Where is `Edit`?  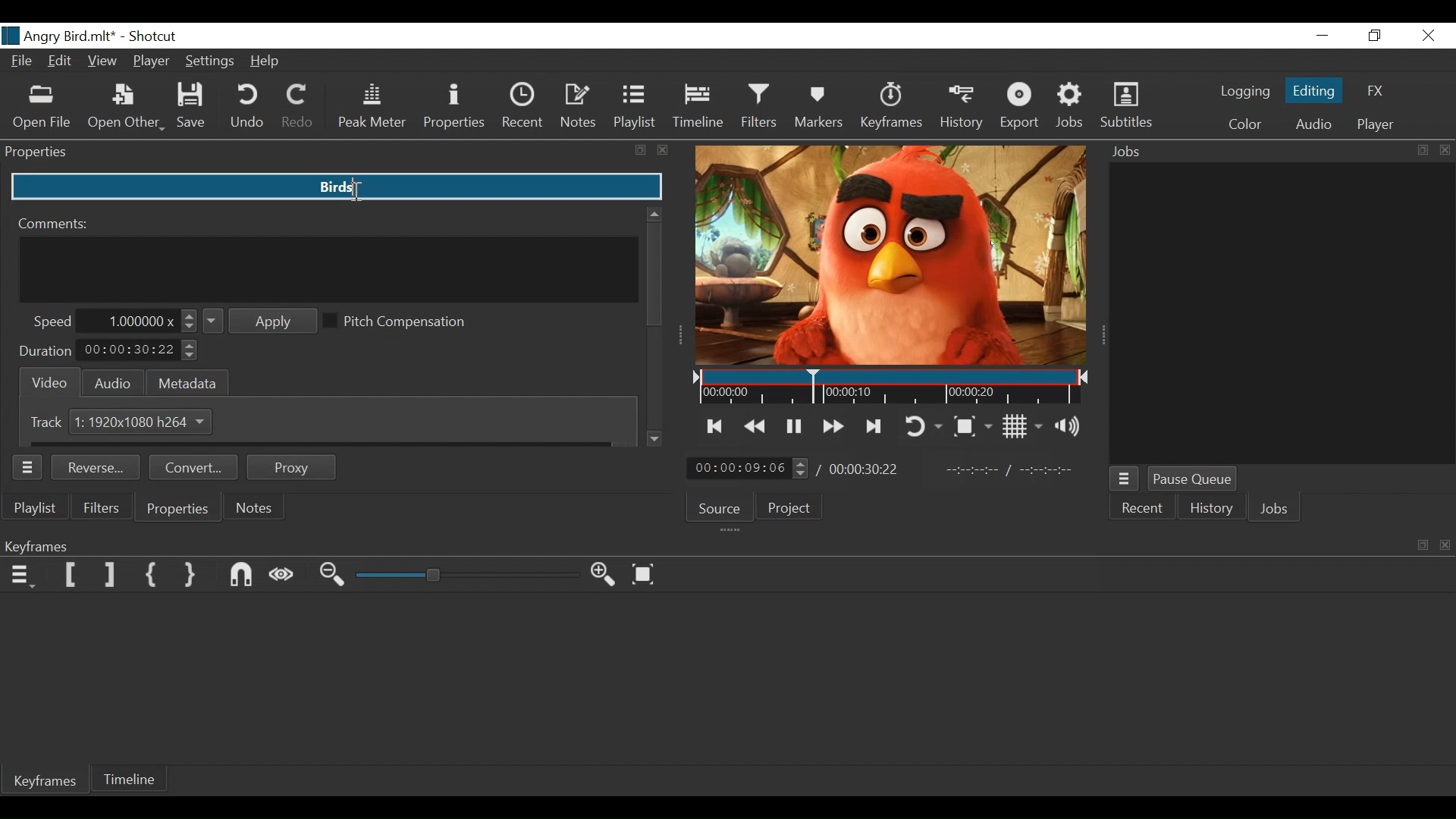 Edit is located at coordinates (61, 63).